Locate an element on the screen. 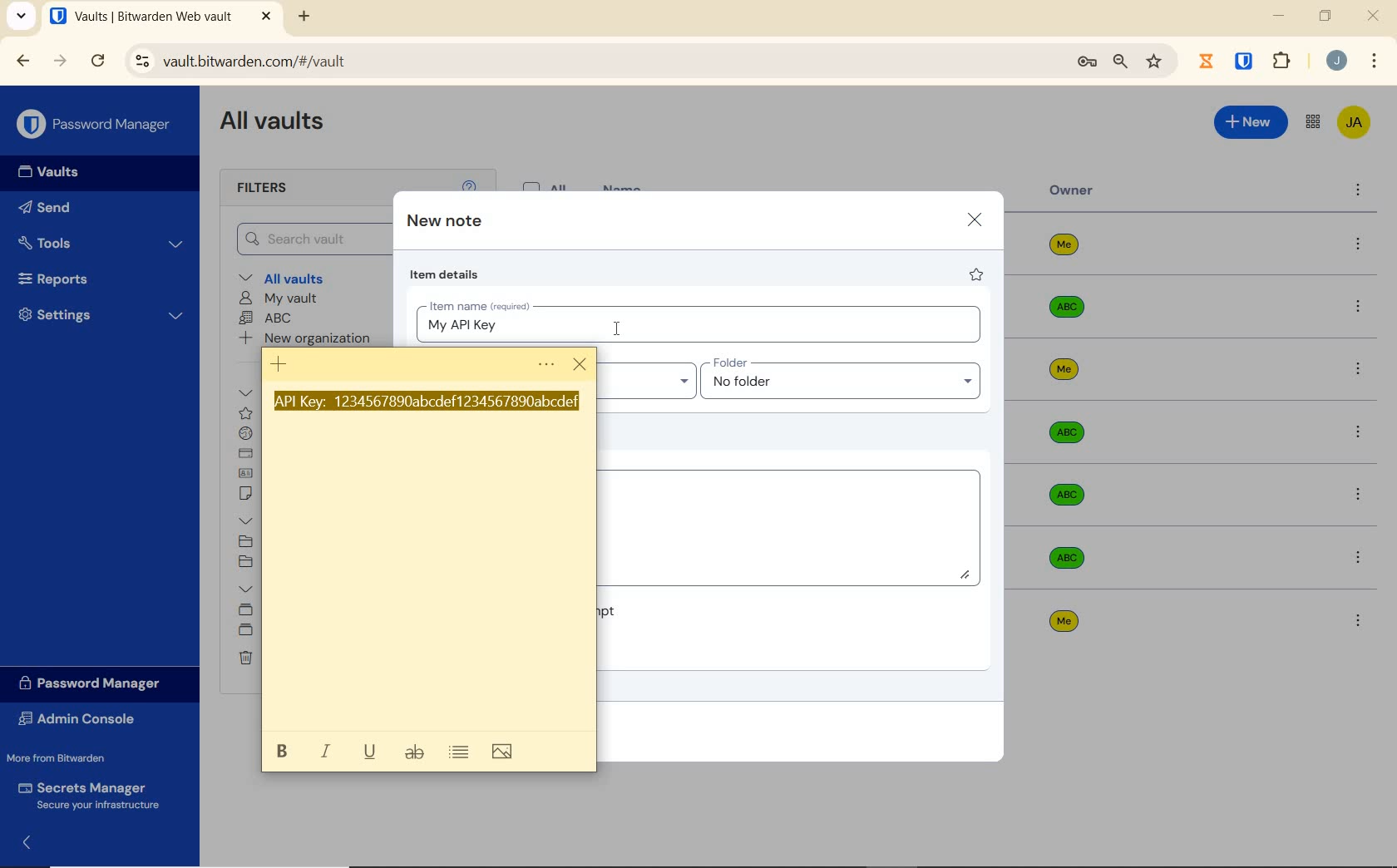 This screenshot has width=1397, height=868. Trash is located at coordinates (244, 659).